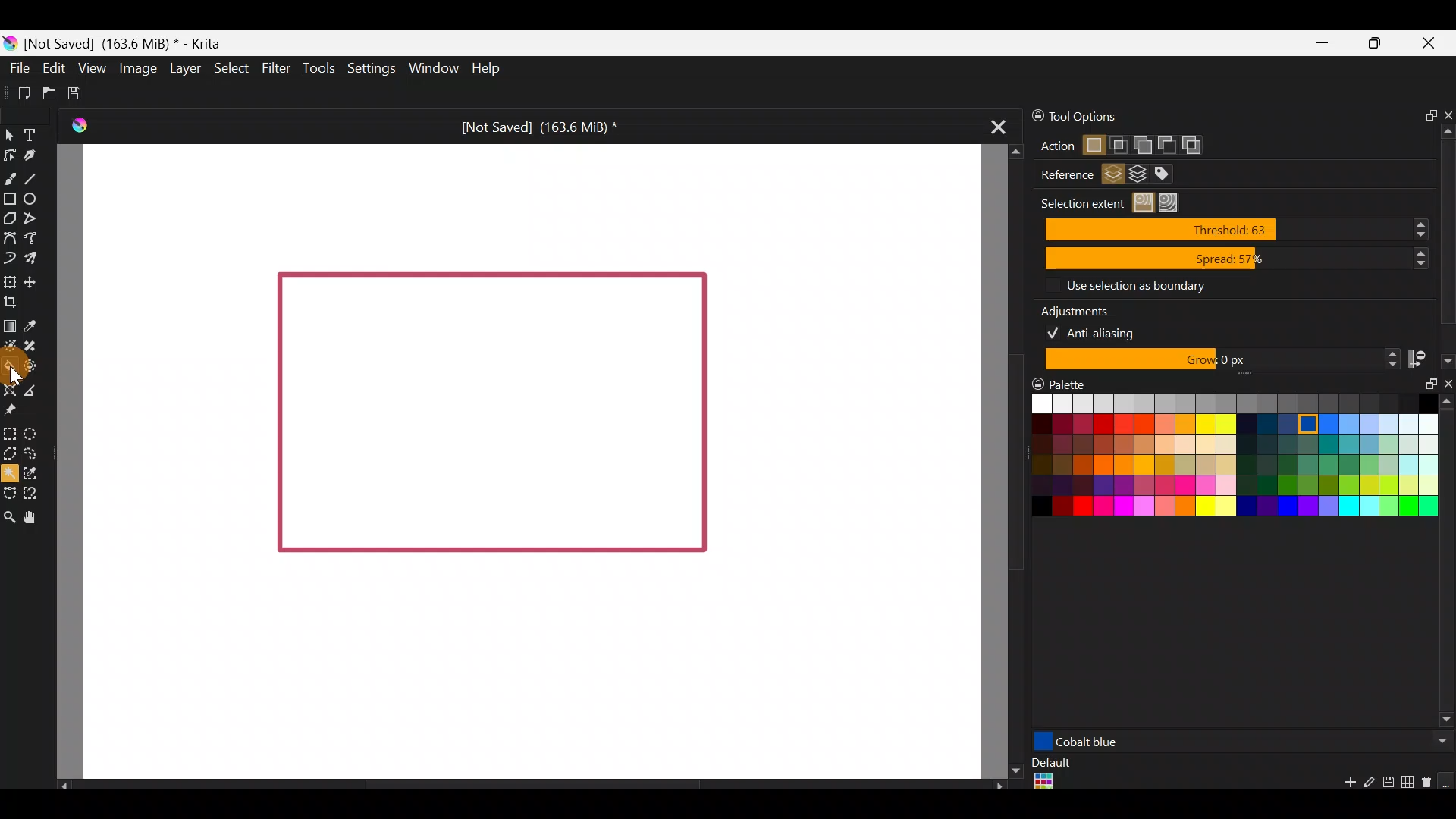  Describe the element at coordinates (1159, 741) in the screenshot. I see `Purple color` at that location.